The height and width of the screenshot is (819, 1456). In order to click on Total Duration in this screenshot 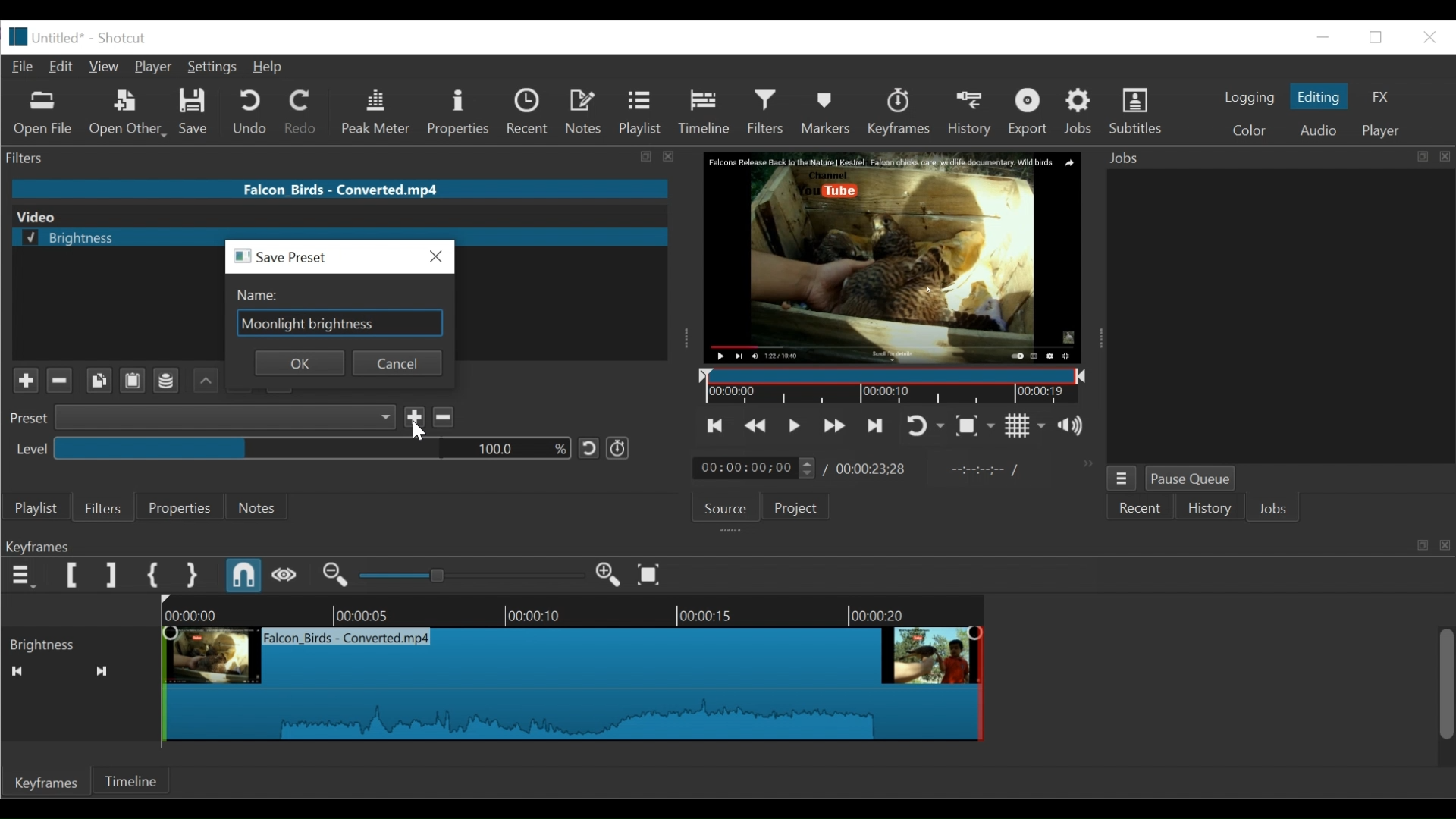, I will do `click(871, 469)`.